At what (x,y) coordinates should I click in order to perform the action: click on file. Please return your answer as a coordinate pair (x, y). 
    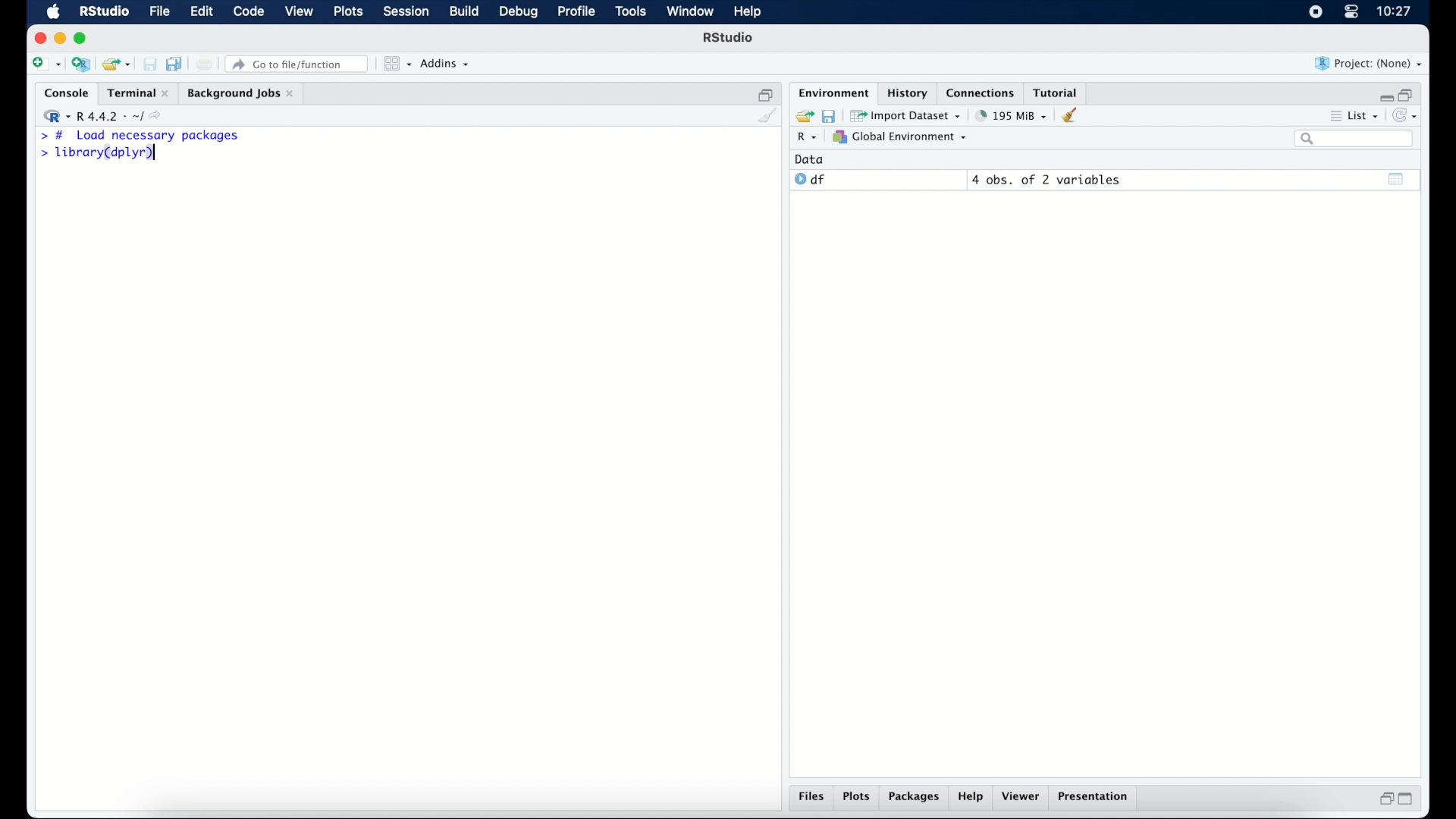
    Looking at the image, I should click on (158, 12).